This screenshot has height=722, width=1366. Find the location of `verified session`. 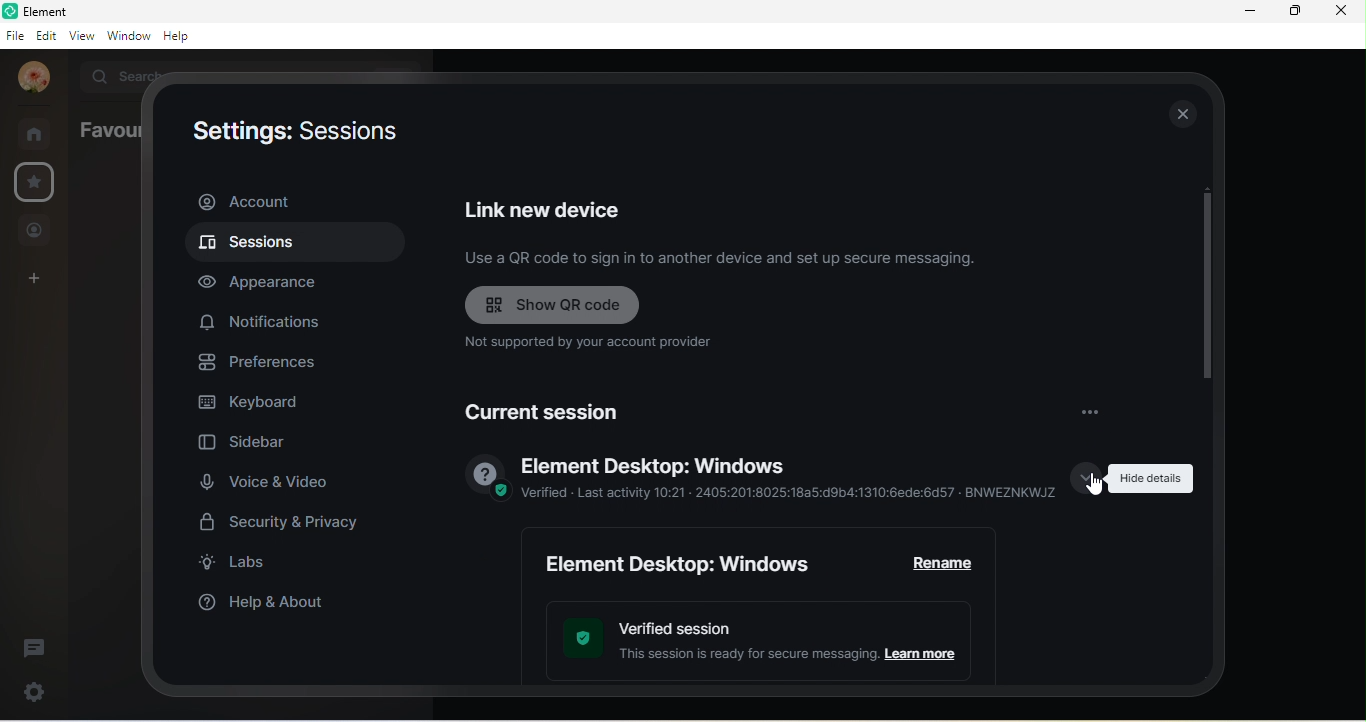

verified session is located at coordinates (760, 642).